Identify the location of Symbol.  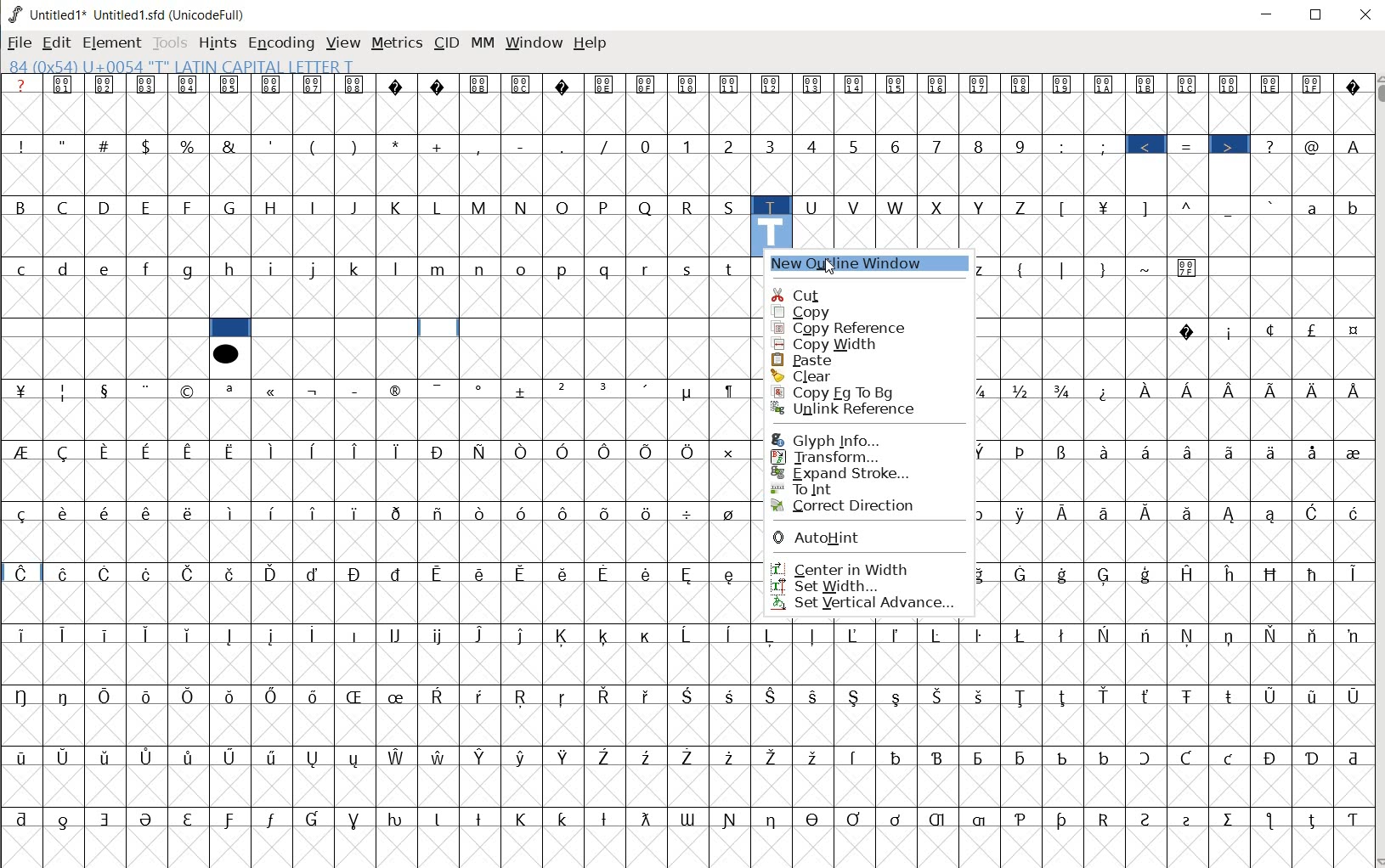
(396, 512).